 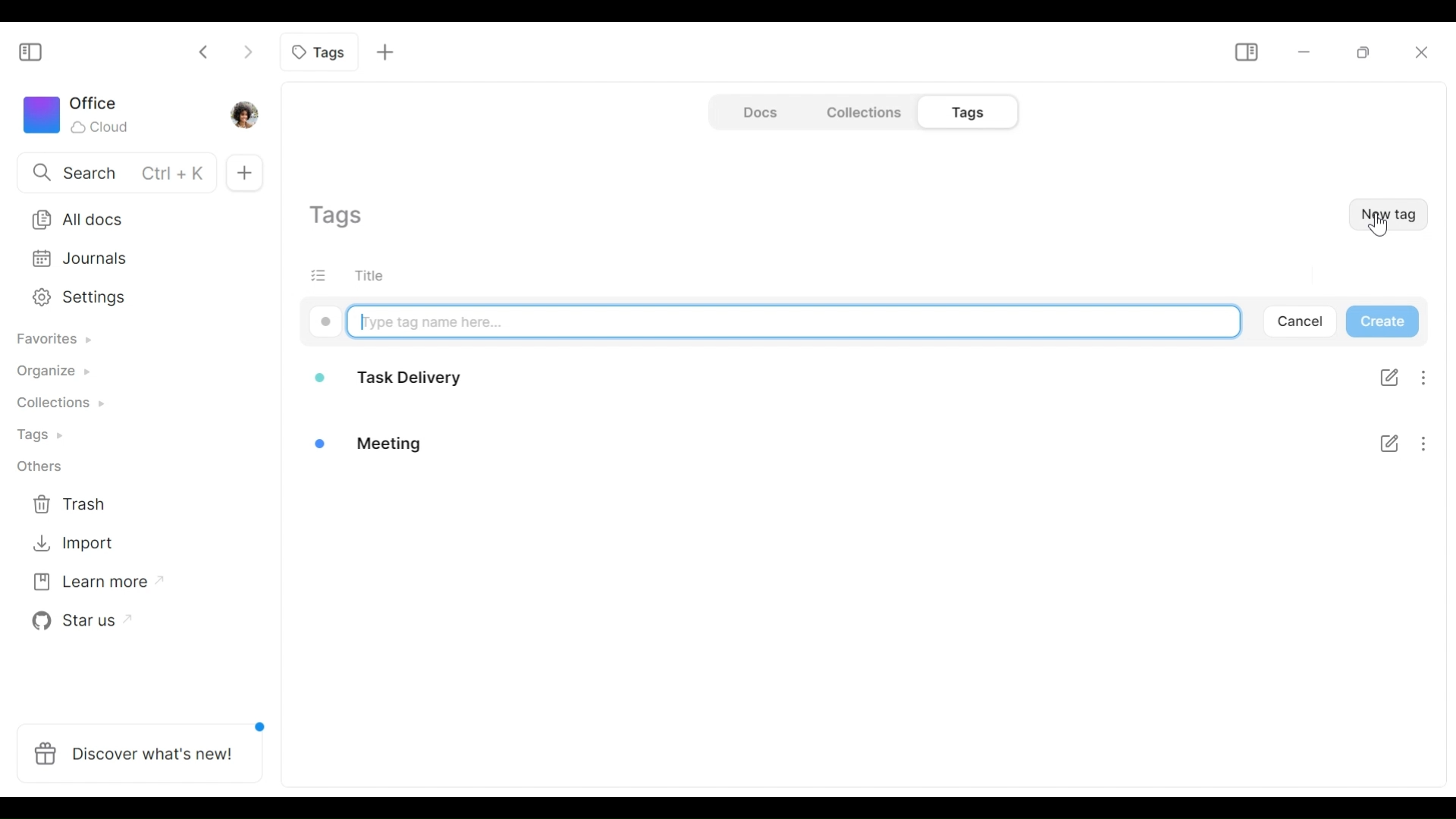 What do you see at coordinates (340, 218) in the screenshot?
I see `Show current tags` at bounding box center [340, 218].